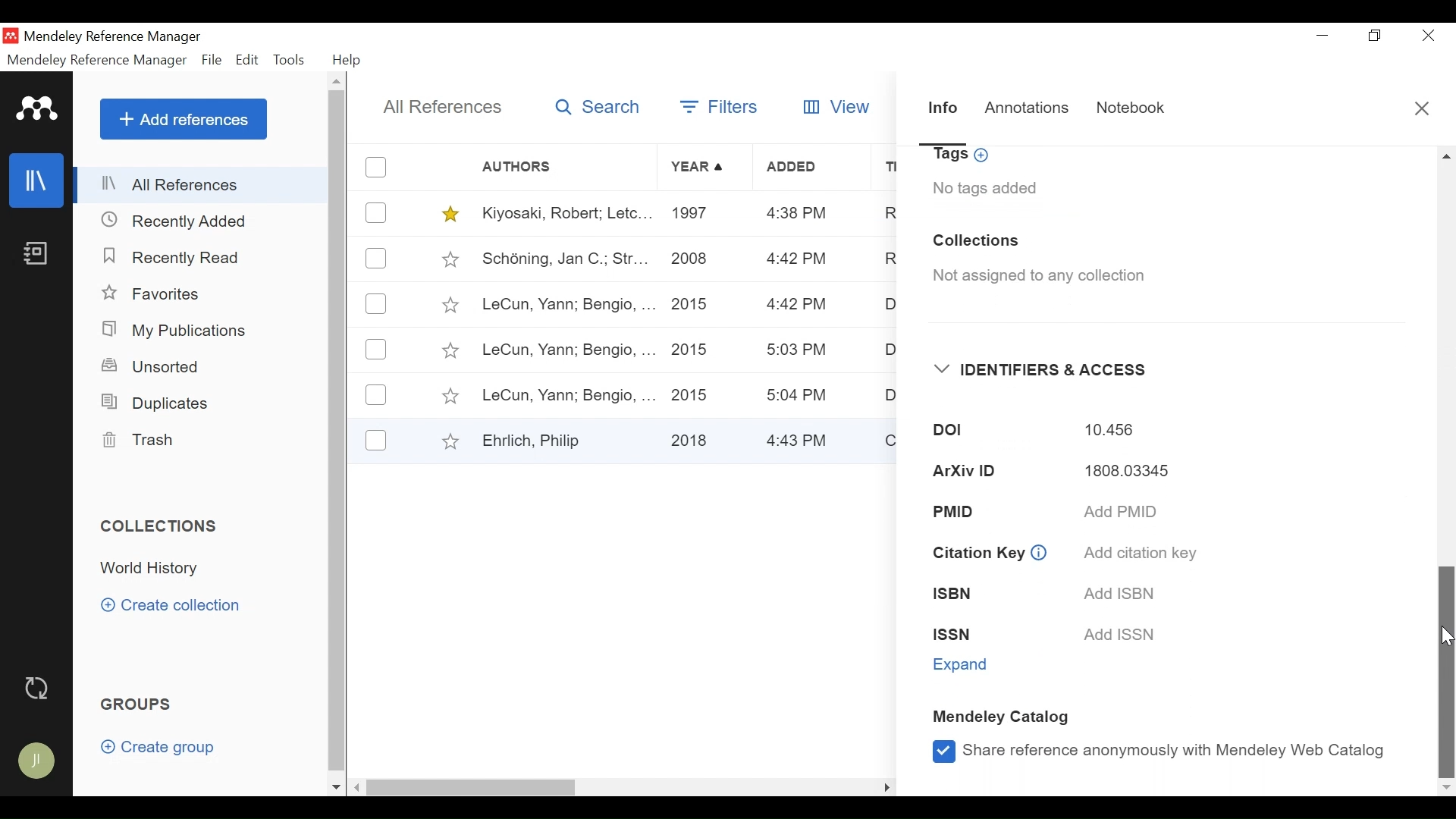 The width and height of the screenshot is (1456, 819). What do you see at coordinates (376, 259) in the screenshot?
I see `(un)Select` at bounding box center [376, 259].